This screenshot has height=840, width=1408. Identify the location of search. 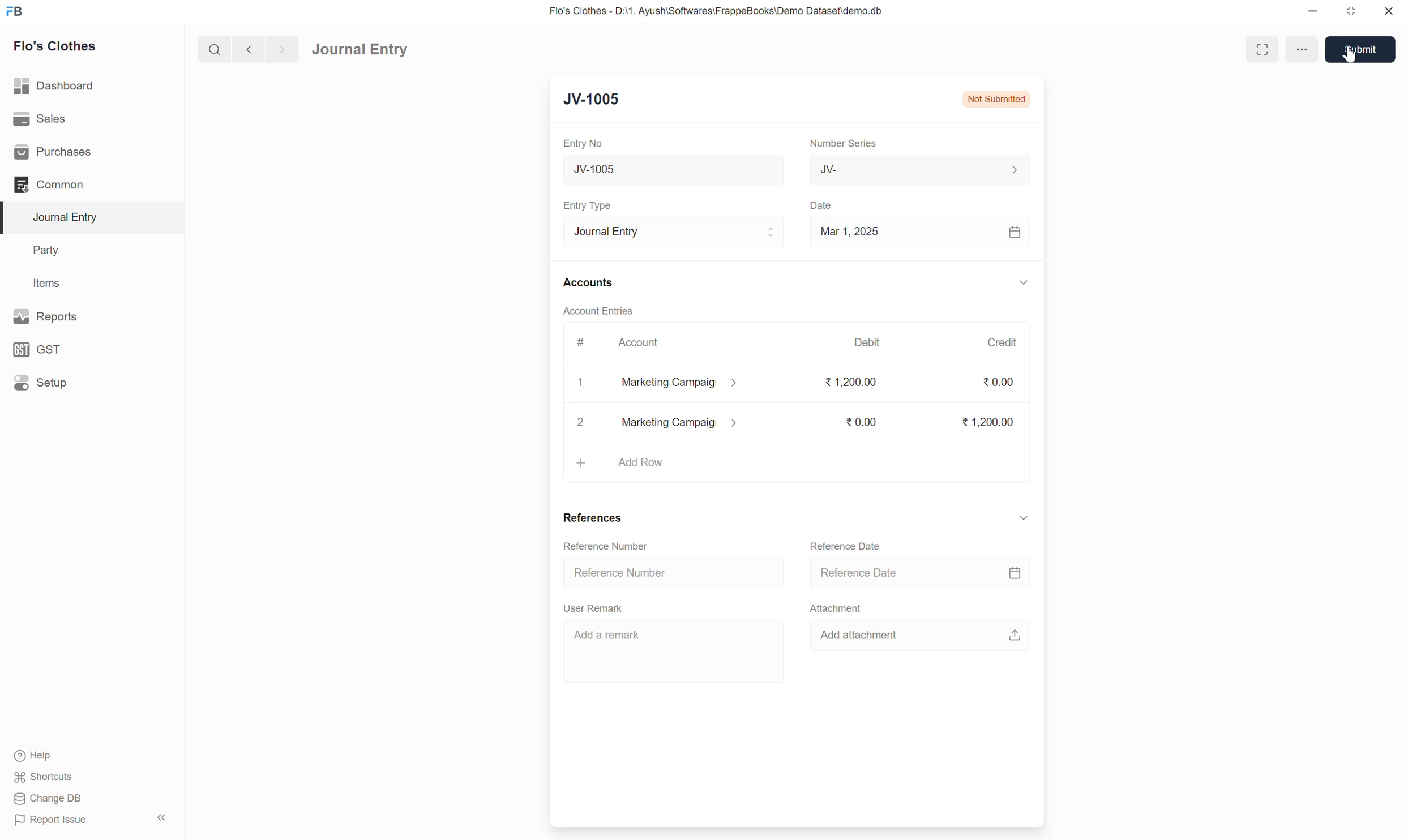
(213, 49).